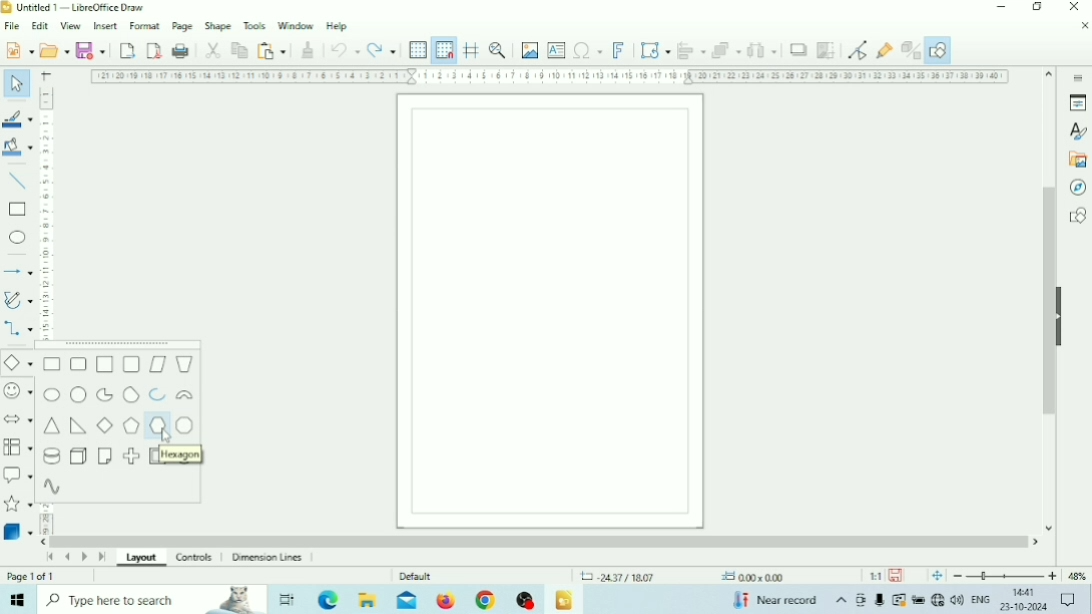  What do you see at coordinates (498, 49) in the screenshot?
I see `Zoom & Pan` at bounding box center [498, 49].